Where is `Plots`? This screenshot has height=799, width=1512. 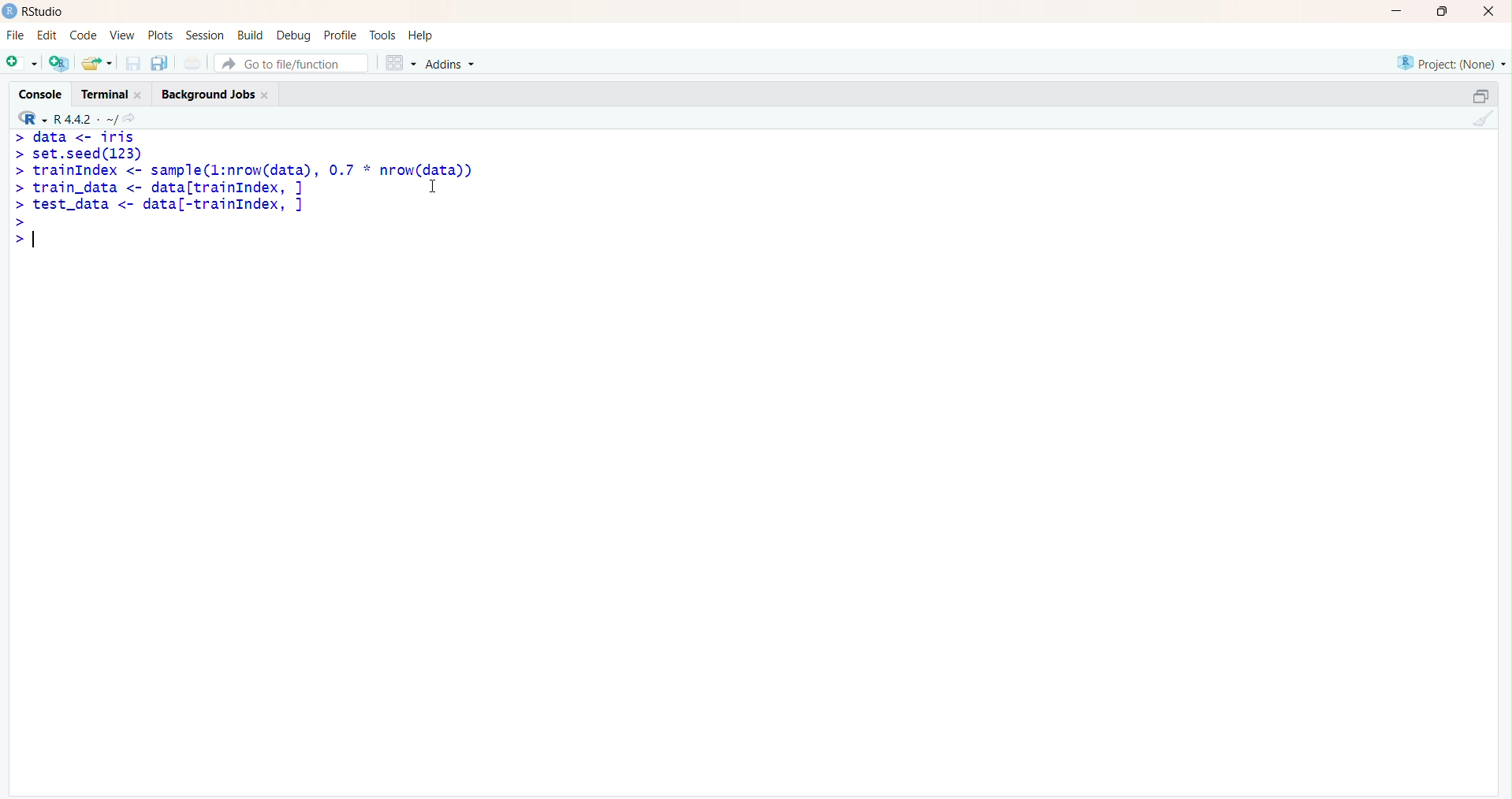
Plots is located at coordinates (160, 35).